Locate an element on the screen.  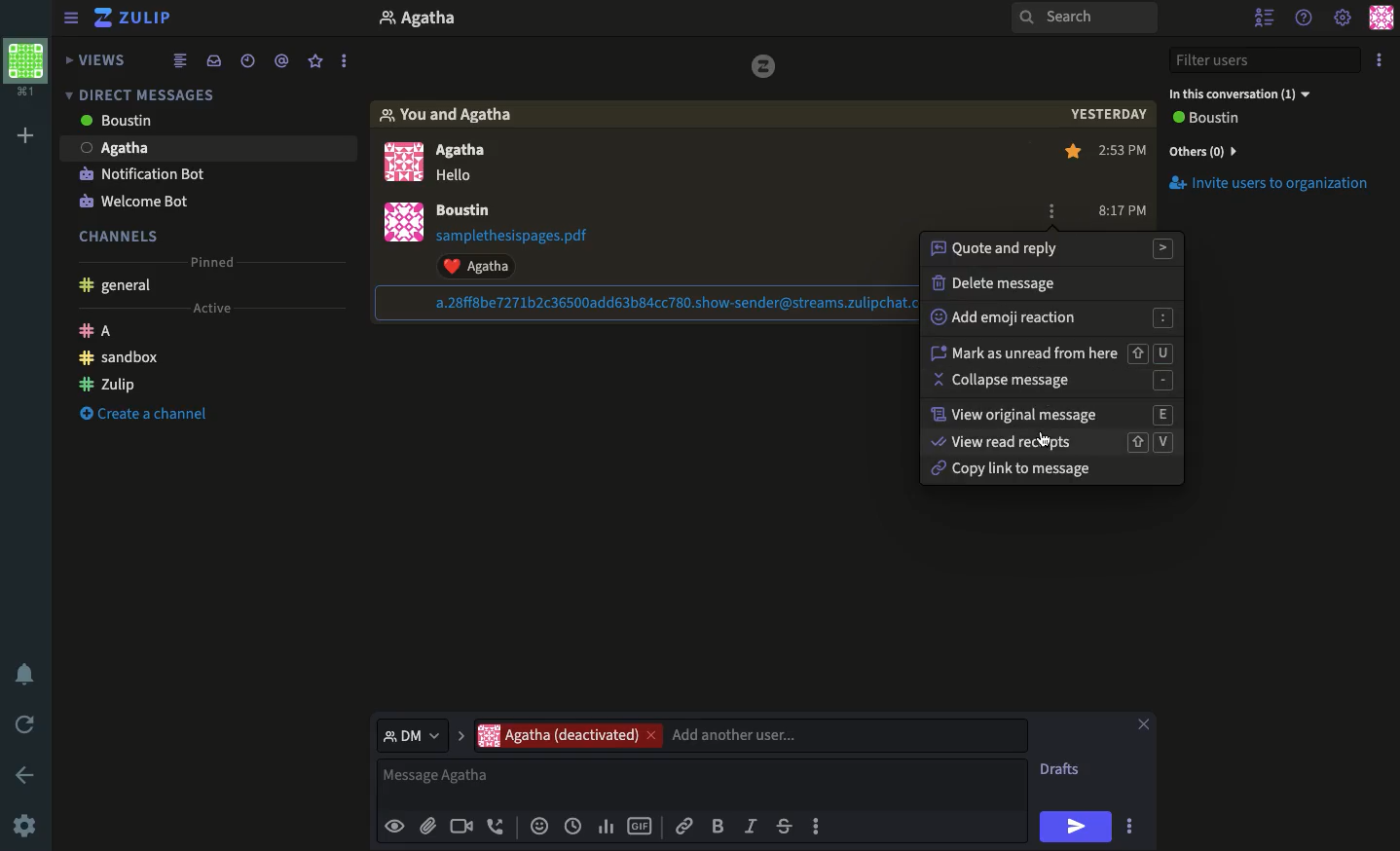
Inbox is located at coordinates (213, 59).